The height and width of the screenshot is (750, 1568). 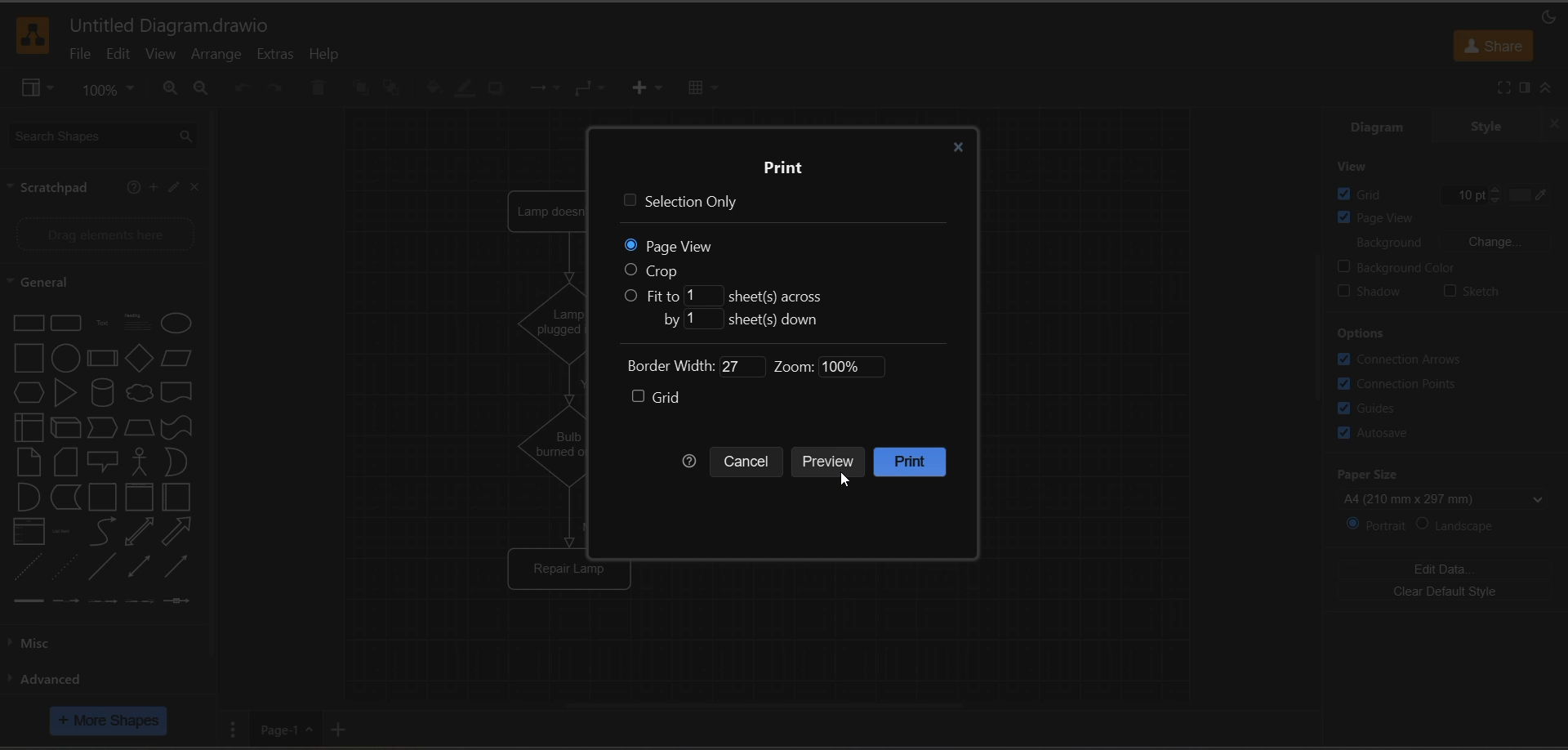 I want to click on shadow, so click(x=497, y=88).